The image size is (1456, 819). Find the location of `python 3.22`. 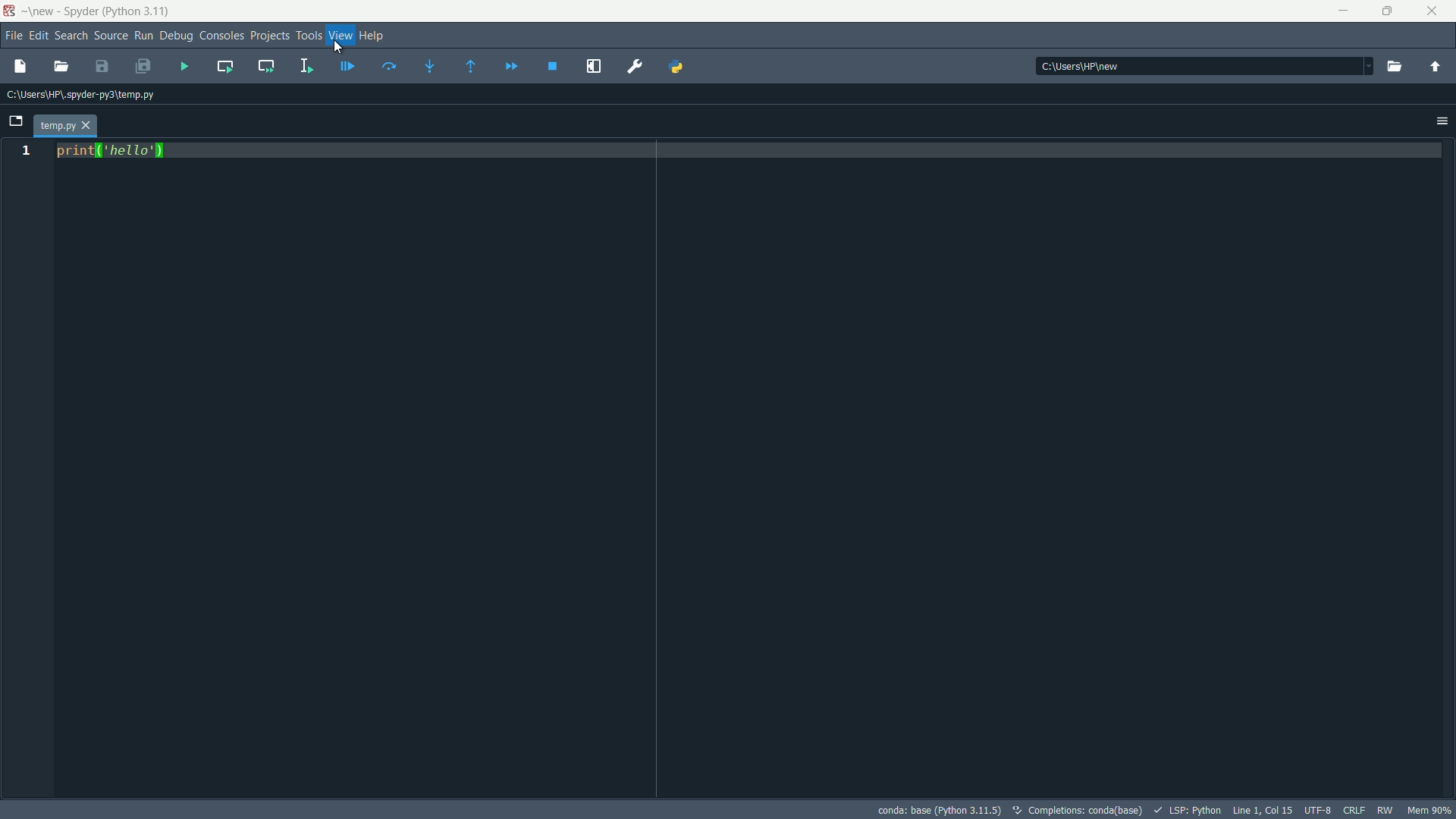

python 3.22 is located at coordinates (142, 12).